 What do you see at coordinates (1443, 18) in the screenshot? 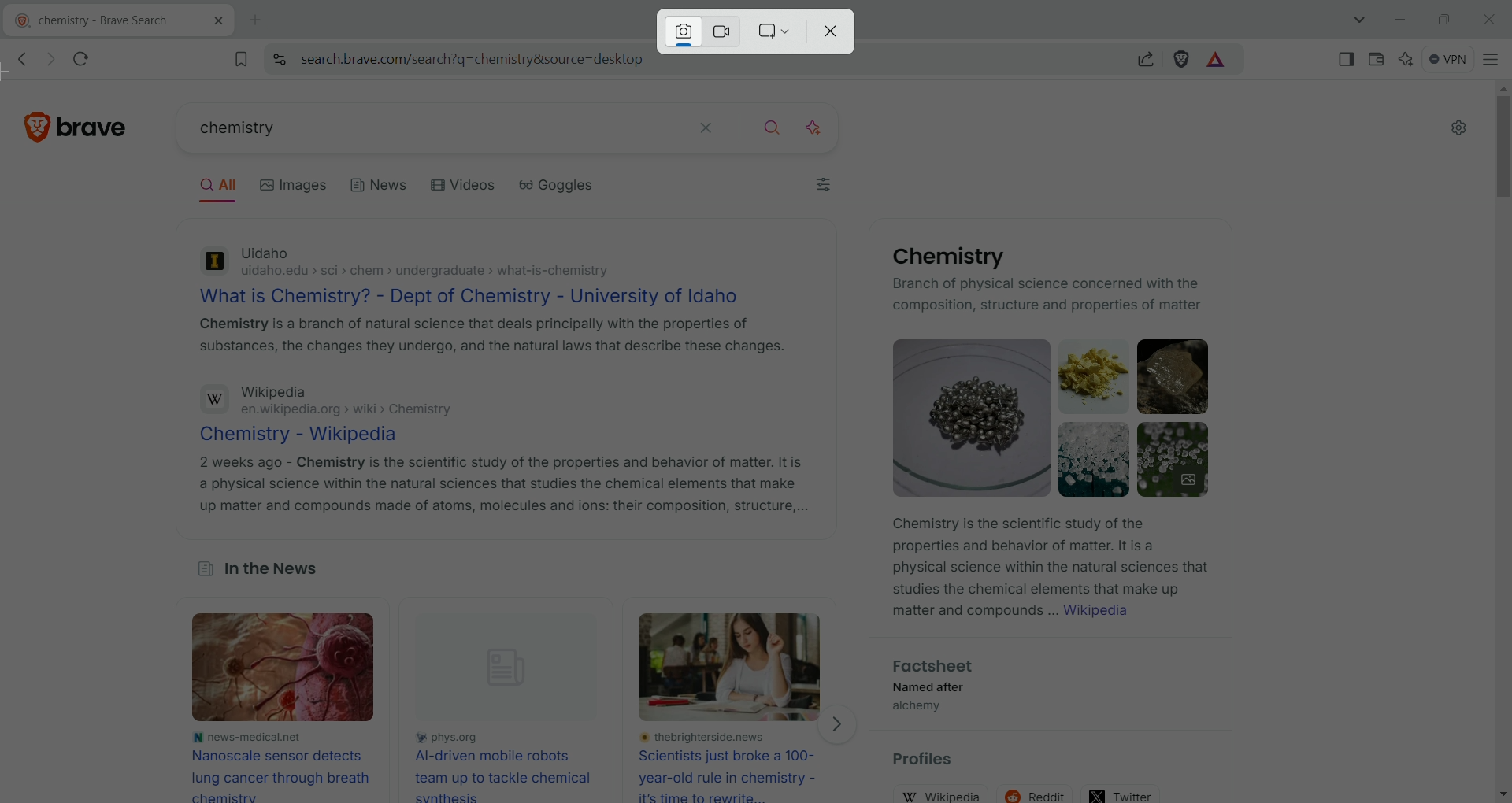
I see `maximize` at bounding box center [1443, 18].